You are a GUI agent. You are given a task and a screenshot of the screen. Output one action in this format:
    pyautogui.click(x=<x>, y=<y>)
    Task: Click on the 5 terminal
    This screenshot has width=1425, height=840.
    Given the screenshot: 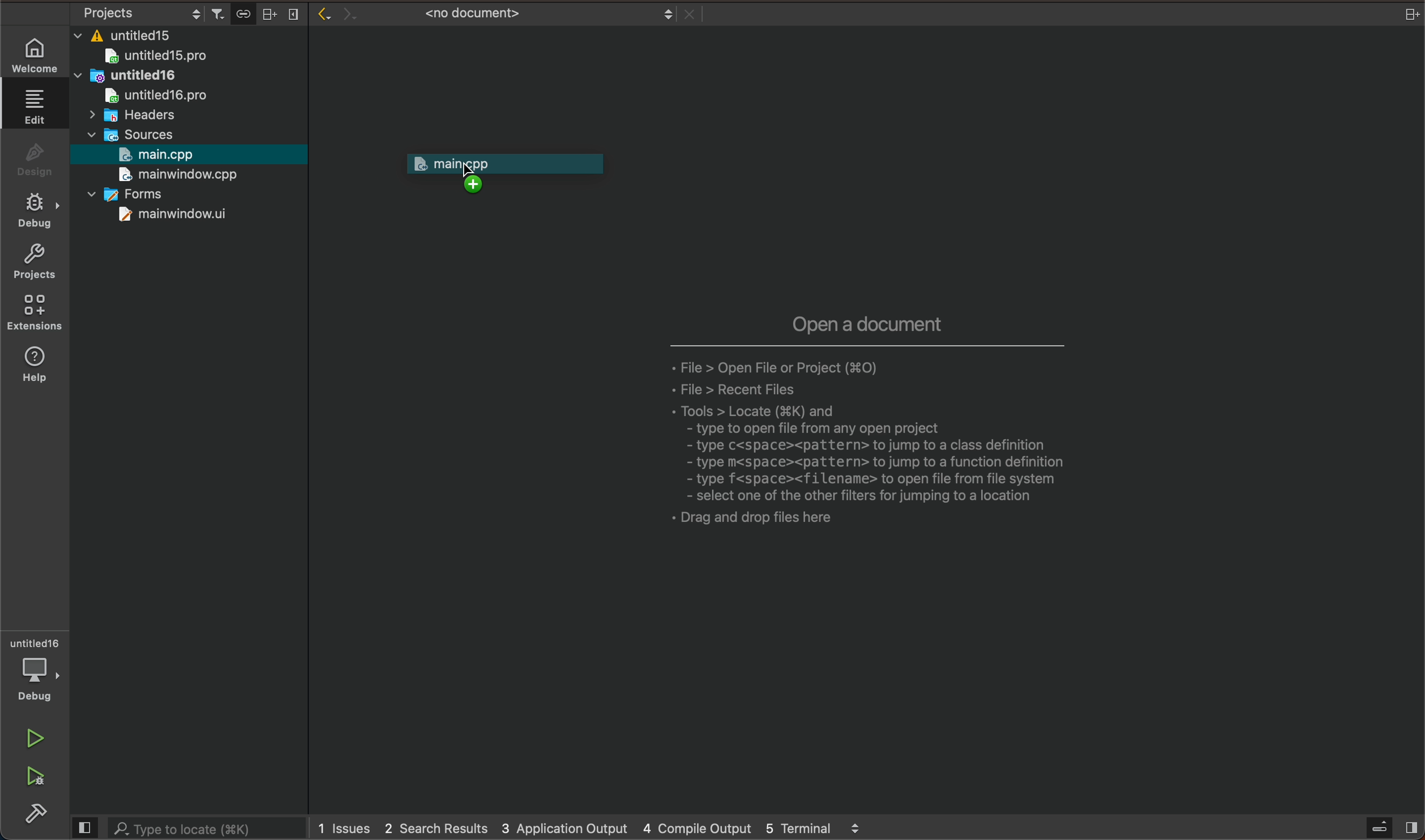 What is the action you would take?
    pyautogui.click(x=829, y=828)
    